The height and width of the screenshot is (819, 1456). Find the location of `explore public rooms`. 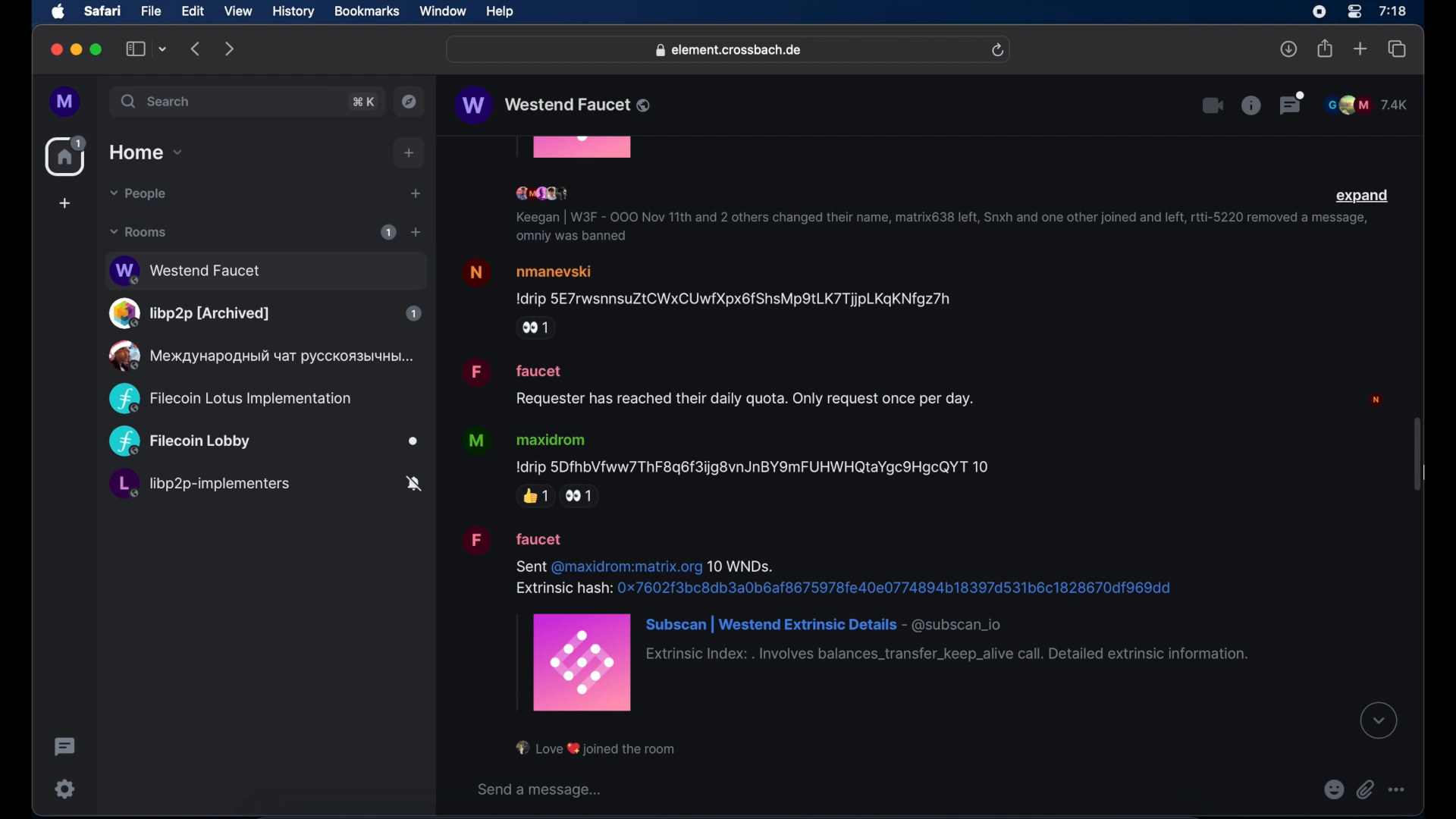

explore public rooms is located at coordinates (409, 102).